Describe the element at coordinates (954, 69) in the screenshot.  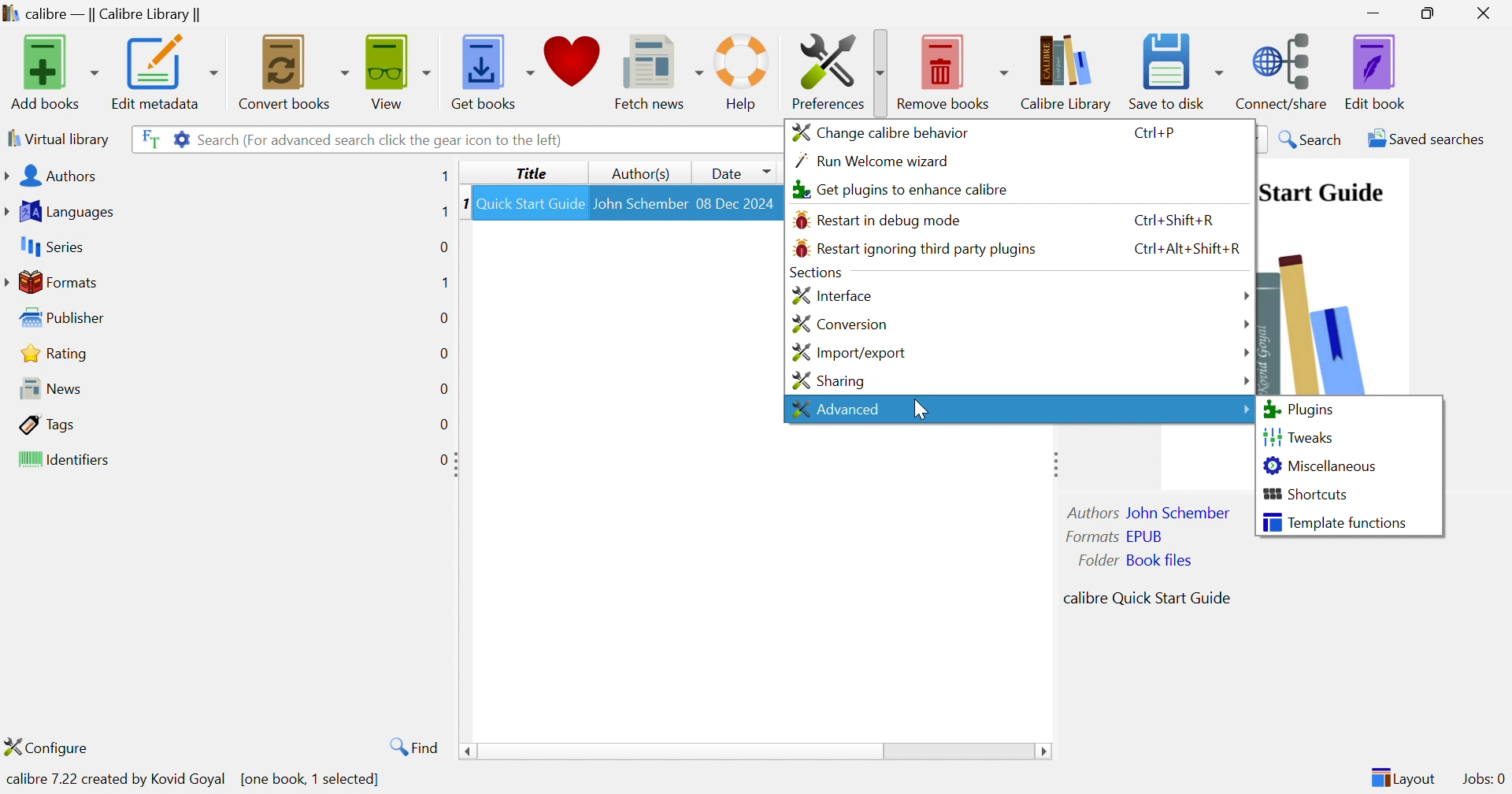
I see `Remove books` at that location.